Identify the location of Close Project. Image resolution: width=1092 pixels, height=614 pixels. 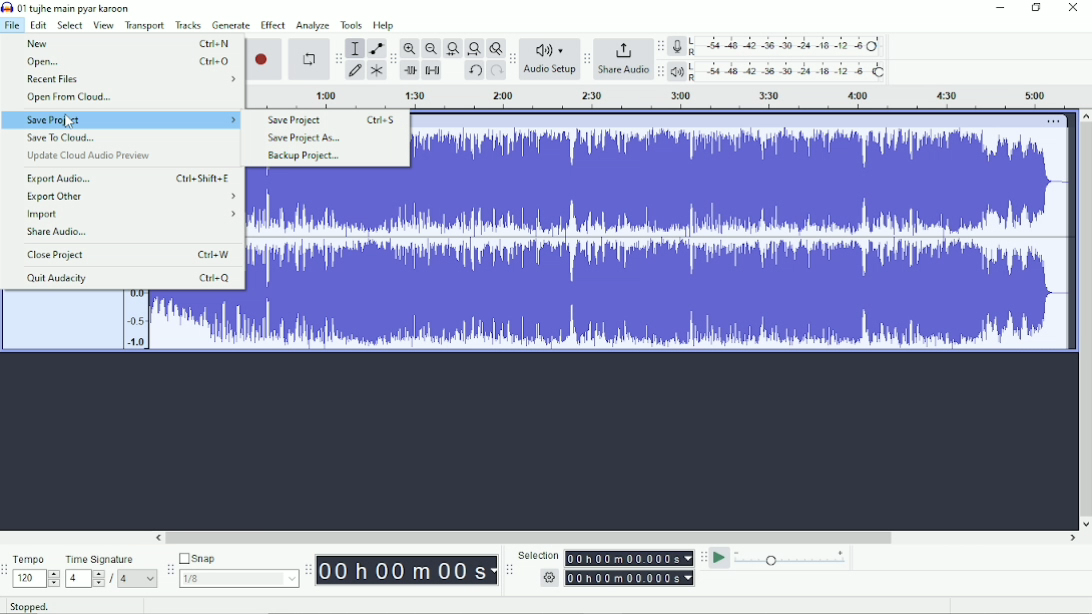
(132, 255).